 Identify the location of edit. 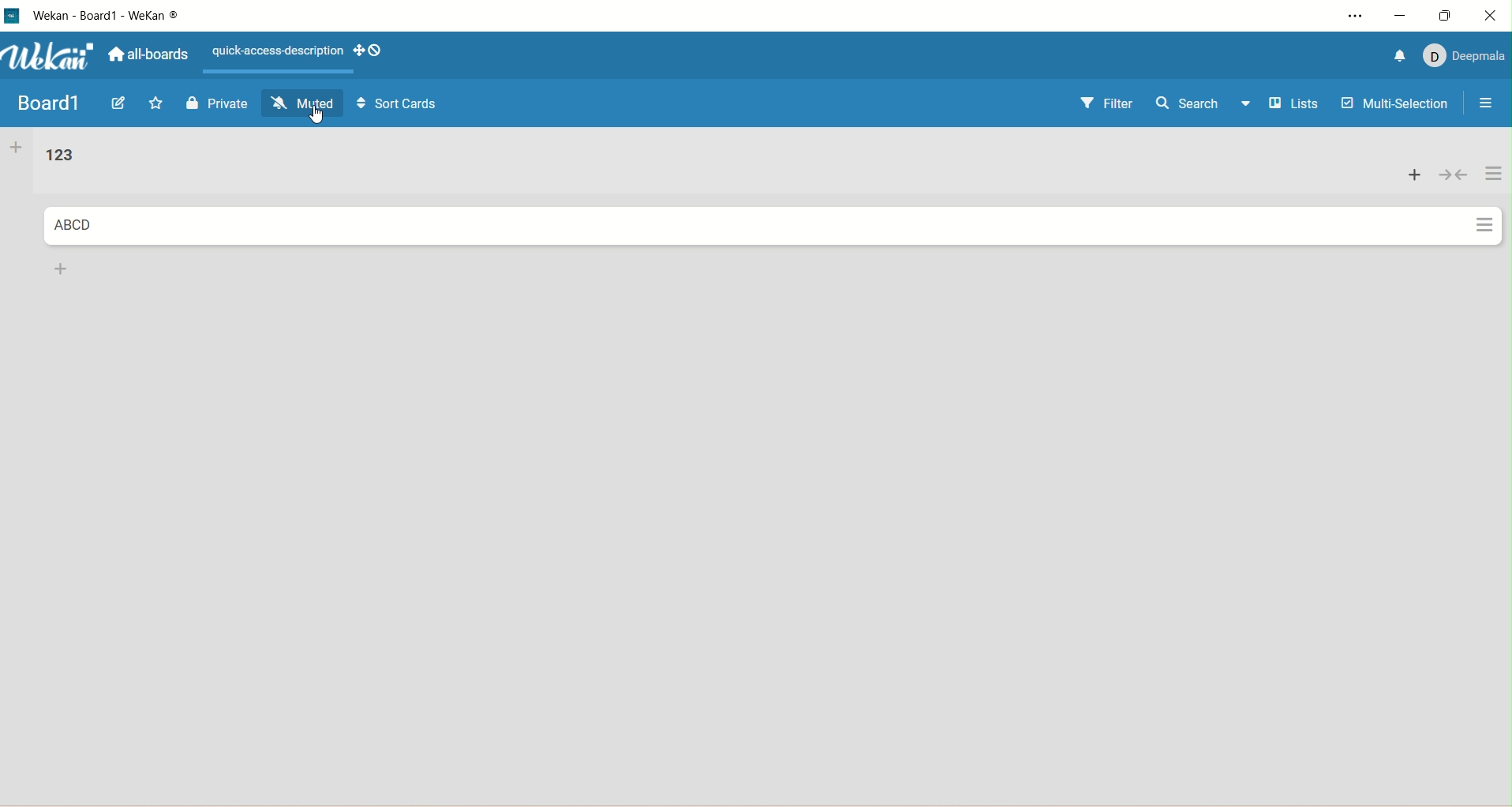
(122, 104).